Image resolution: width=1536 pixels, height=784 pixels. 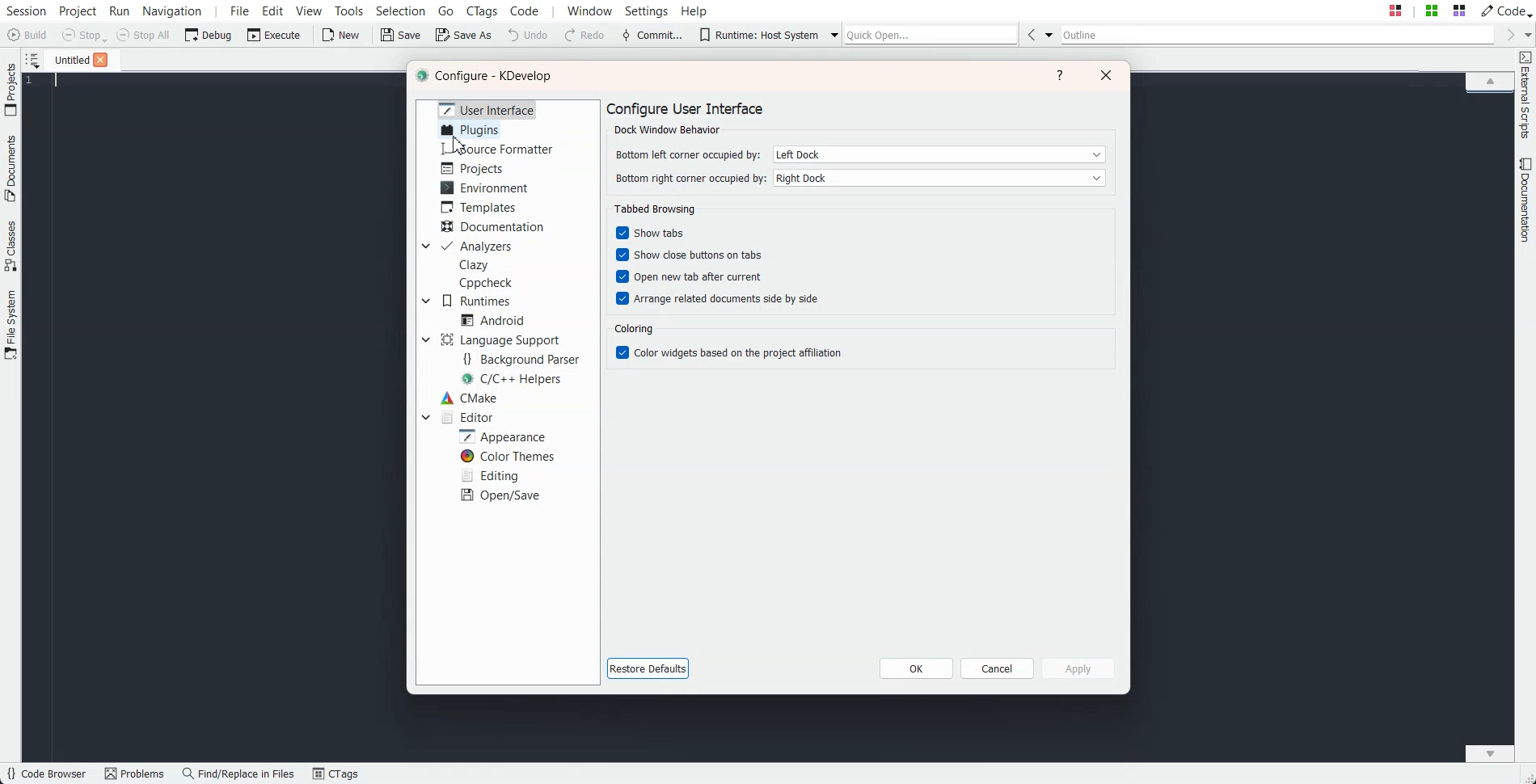 I want to click on Documentation, so click(x=495, y=227).